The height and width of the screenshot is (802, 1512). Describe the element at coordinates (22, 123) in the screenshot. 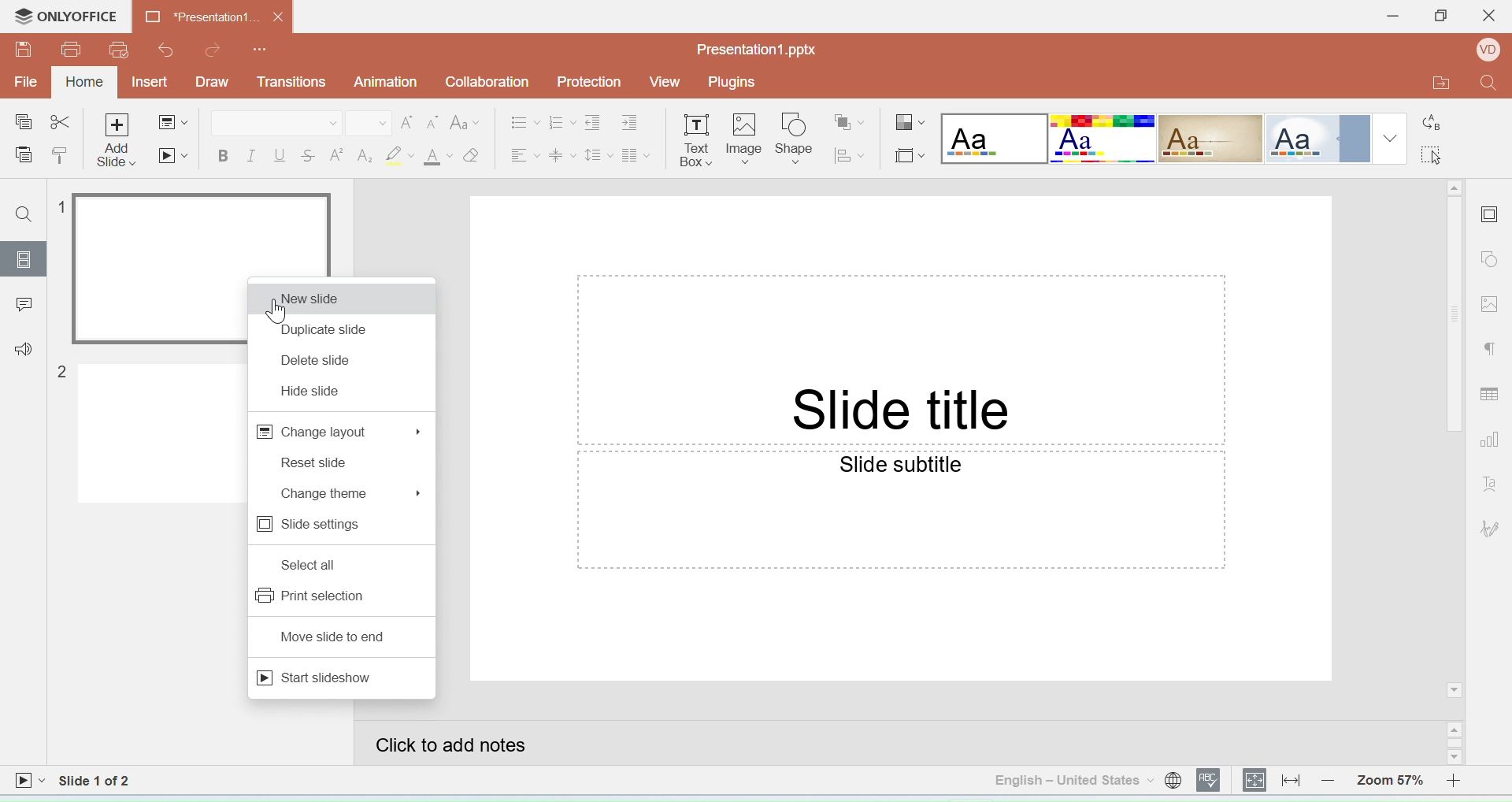

I see `Copy` at that location.